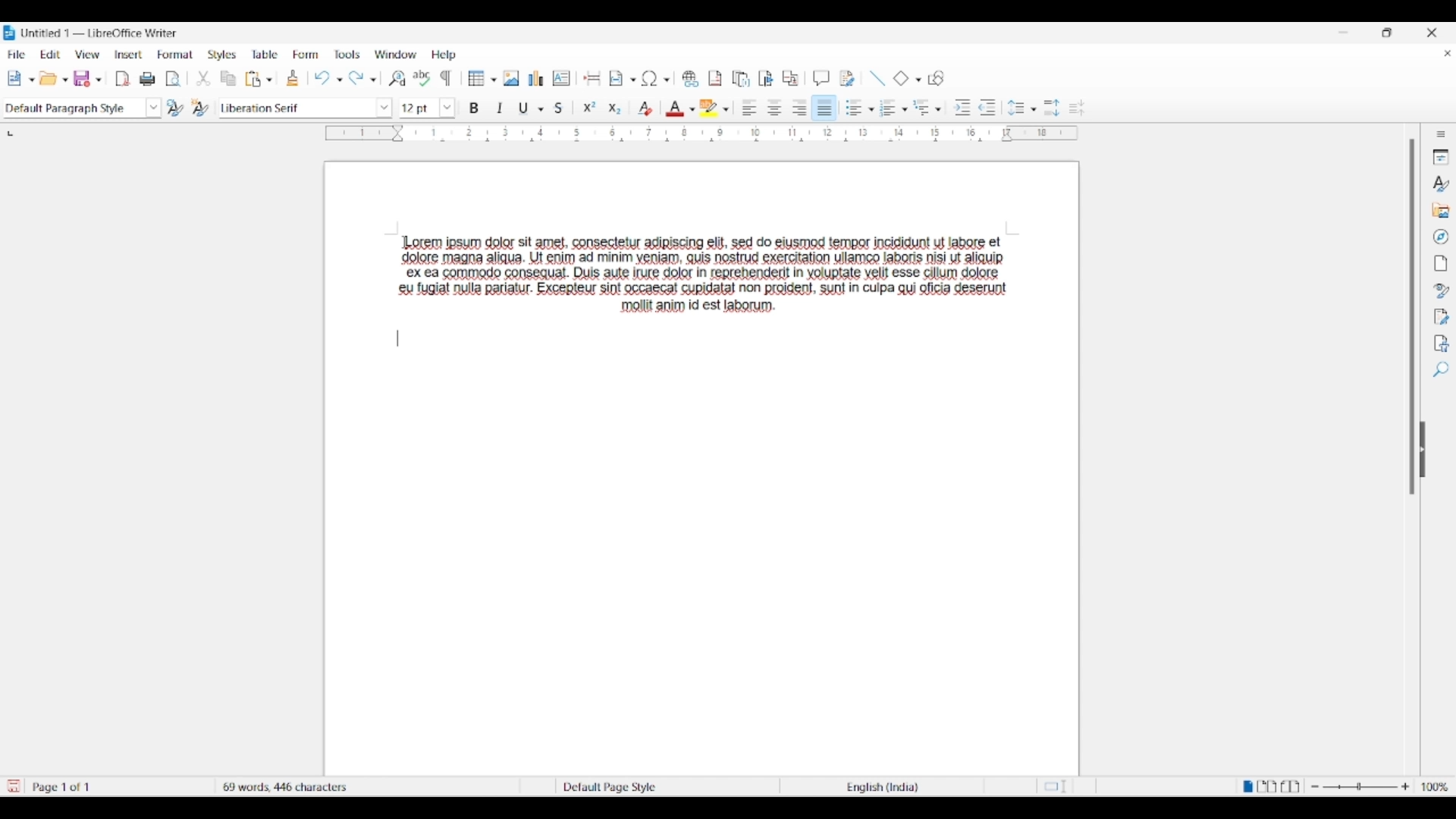  I want to click on Show interface in a smaller tab, so click(1386, 32).